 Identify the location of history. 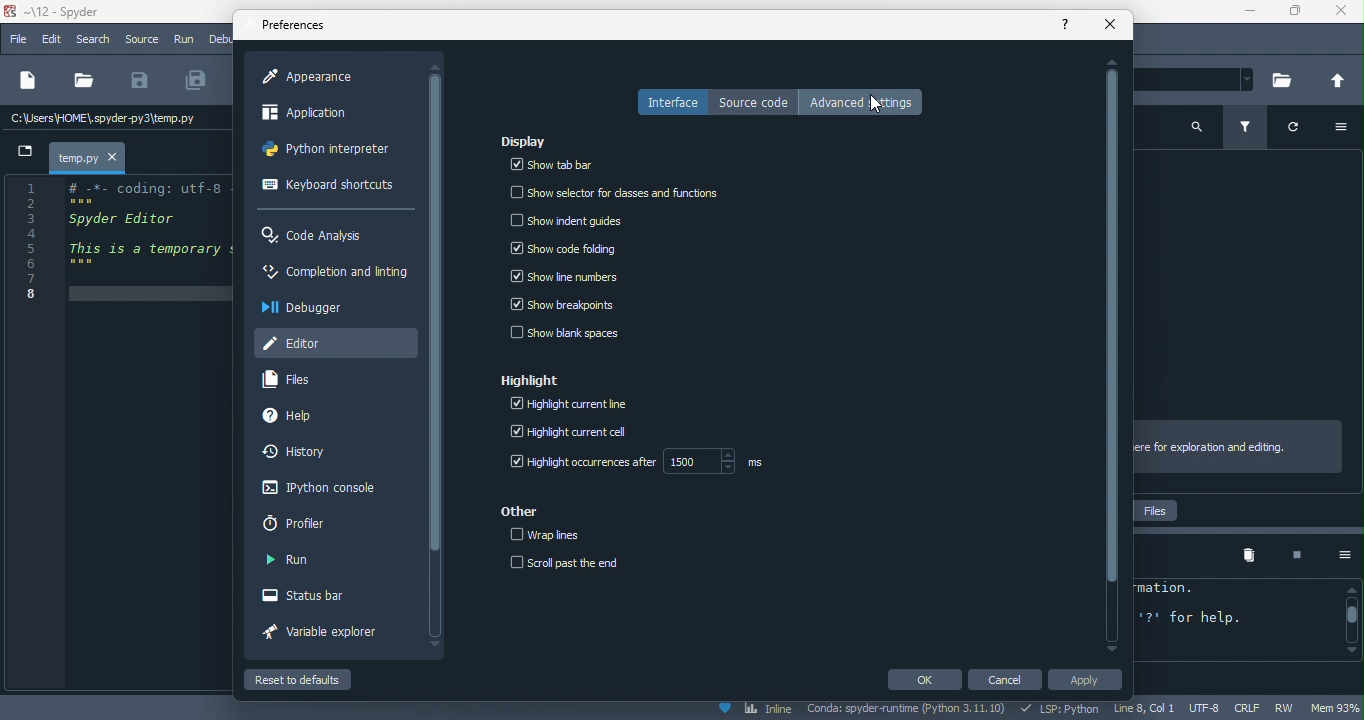
(301, 453).